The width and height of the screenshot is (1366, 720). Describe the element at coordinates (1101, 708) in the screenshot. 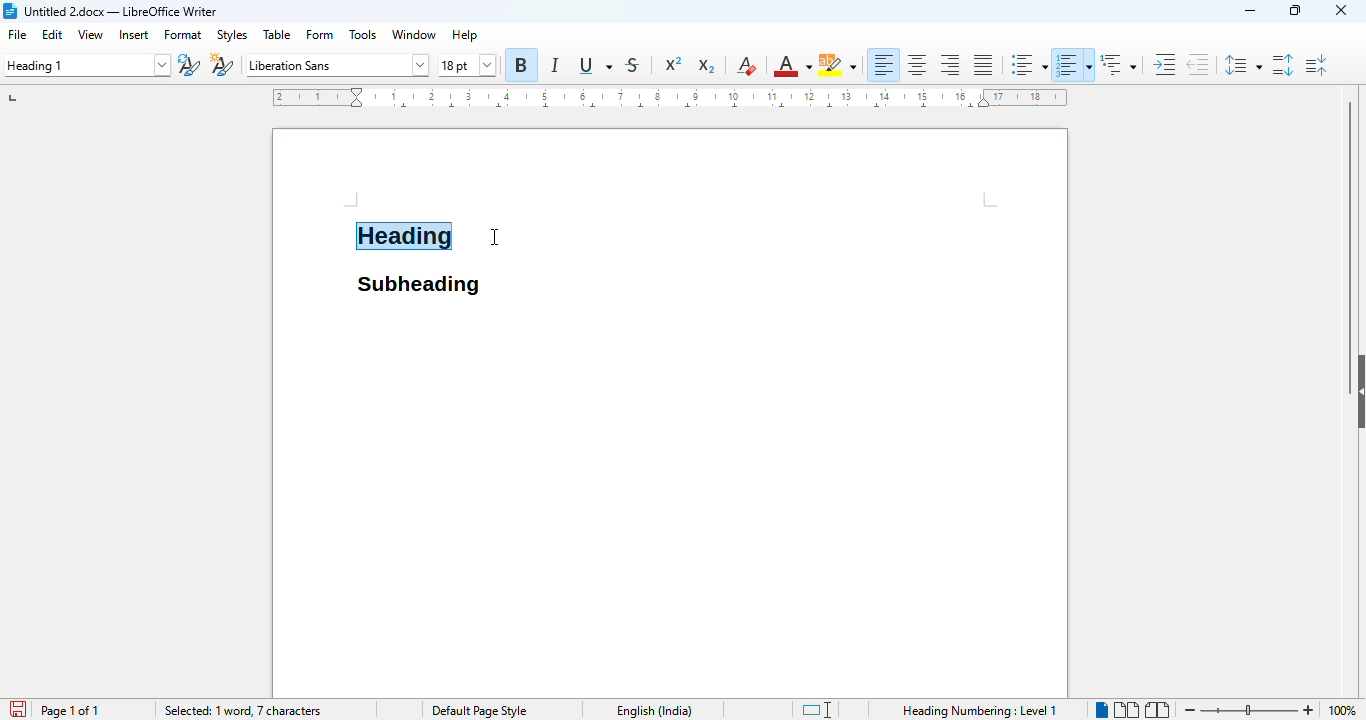

I see `single-page view` at that location.